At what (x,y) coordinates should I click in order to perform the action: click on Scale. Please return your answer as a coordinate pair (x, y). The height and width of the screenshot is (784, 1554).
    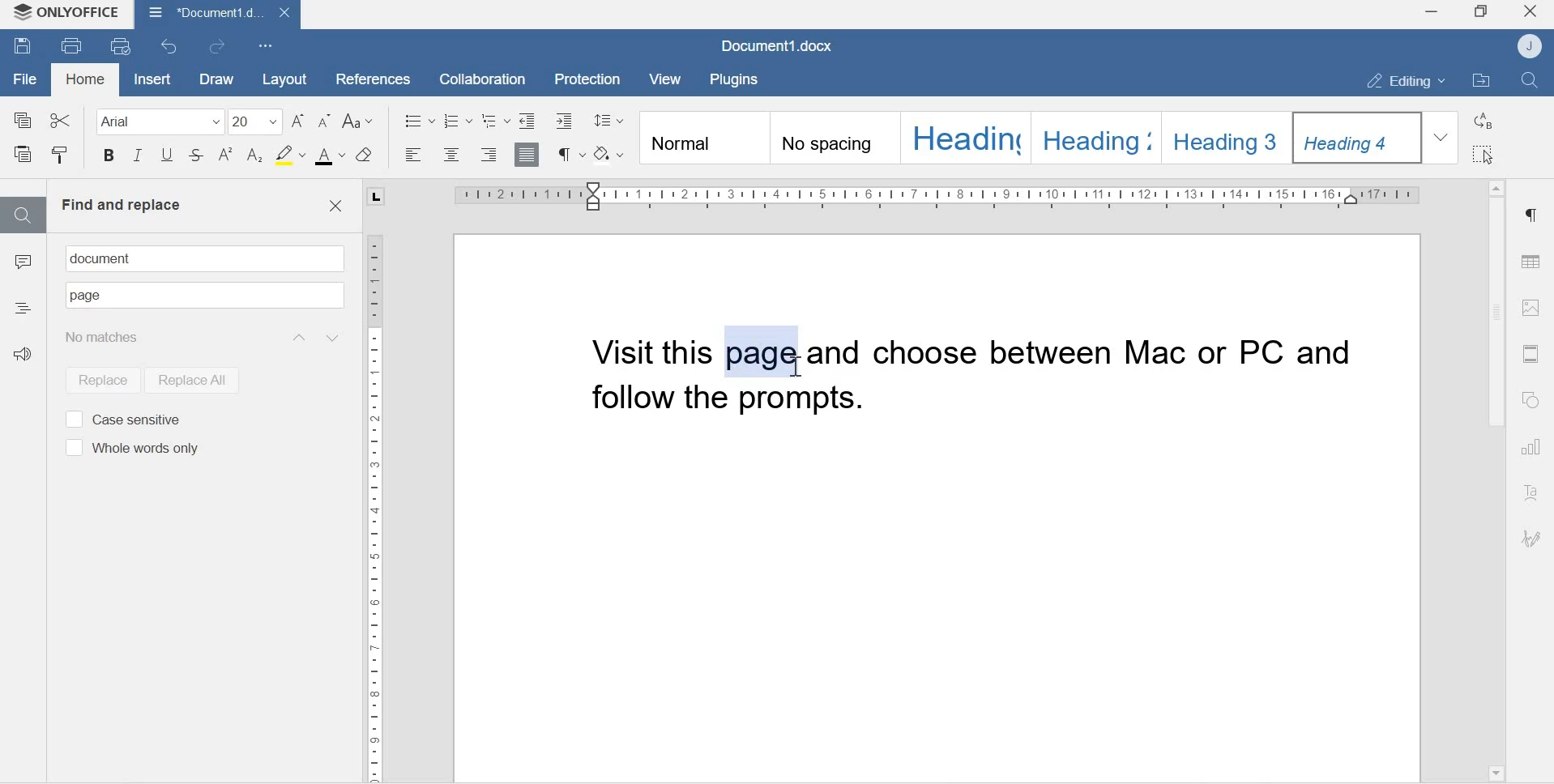
    Looking at the image, I should click on (921, 195).